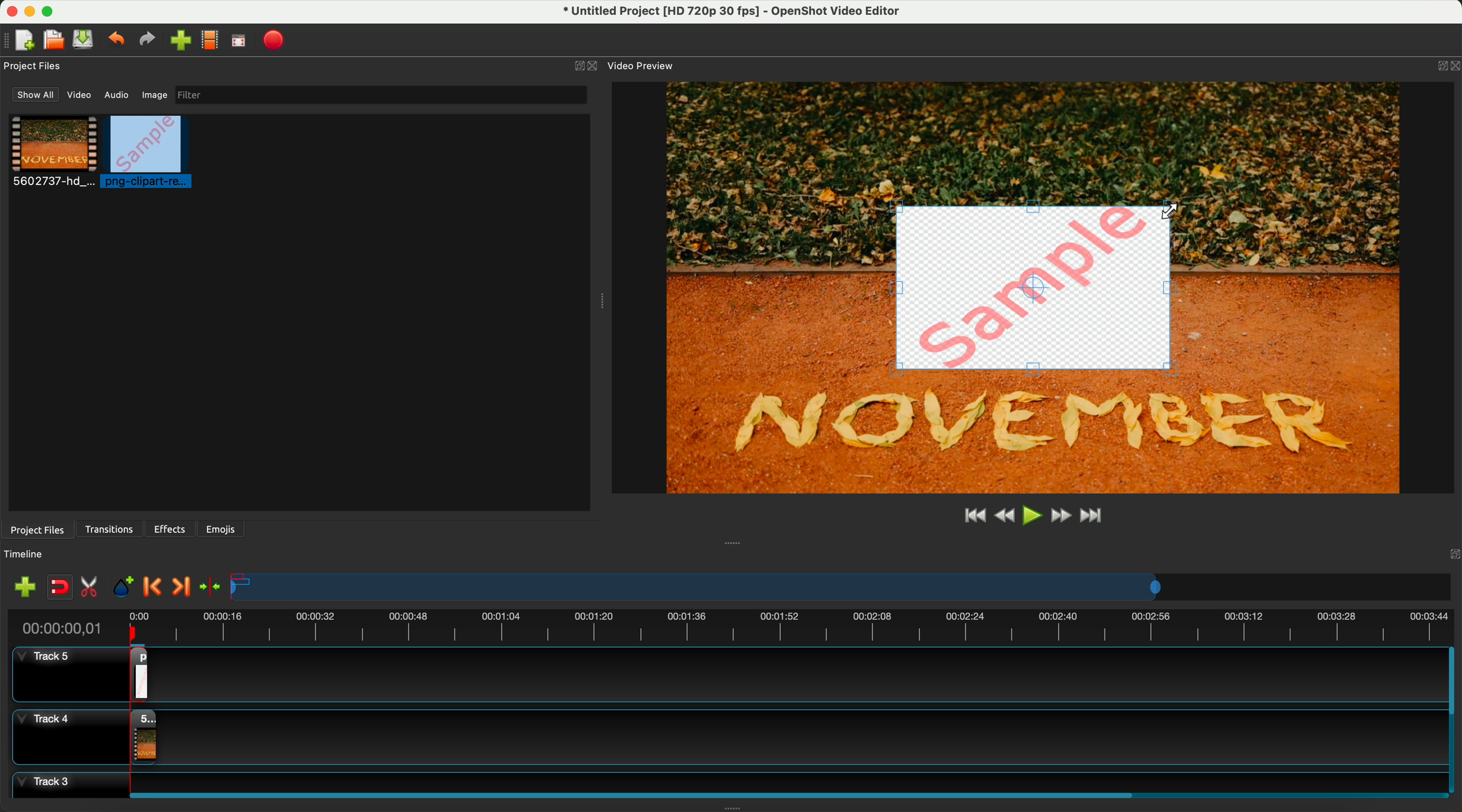  What do you see at coordinates (117, 94) in the screenshot?
I see `audio` at bounding box center [117, 94].